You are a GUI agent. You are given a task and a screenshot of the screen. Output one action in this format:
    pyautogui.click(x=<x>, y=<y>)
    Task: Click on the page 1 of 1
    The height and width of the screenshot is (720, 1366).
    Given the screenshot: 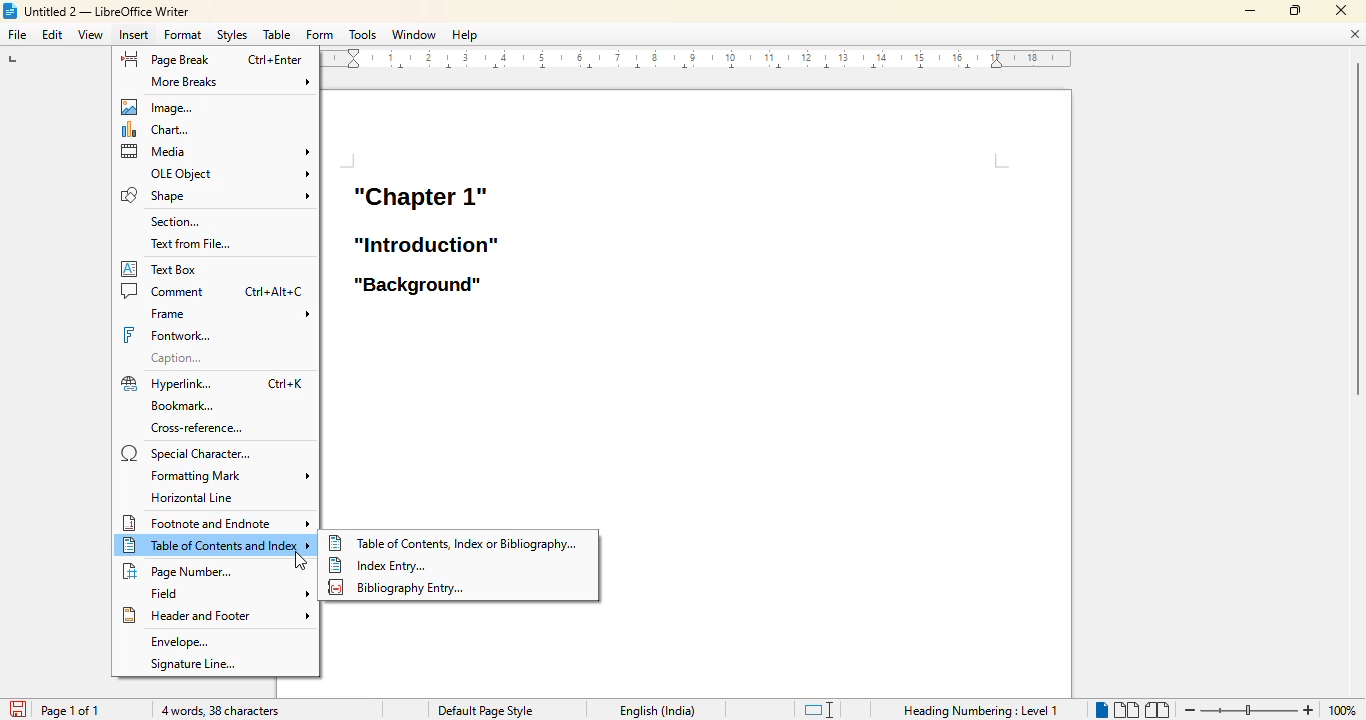 What is the action you would take?
    pyautogui.click(x=71, y=710)
    